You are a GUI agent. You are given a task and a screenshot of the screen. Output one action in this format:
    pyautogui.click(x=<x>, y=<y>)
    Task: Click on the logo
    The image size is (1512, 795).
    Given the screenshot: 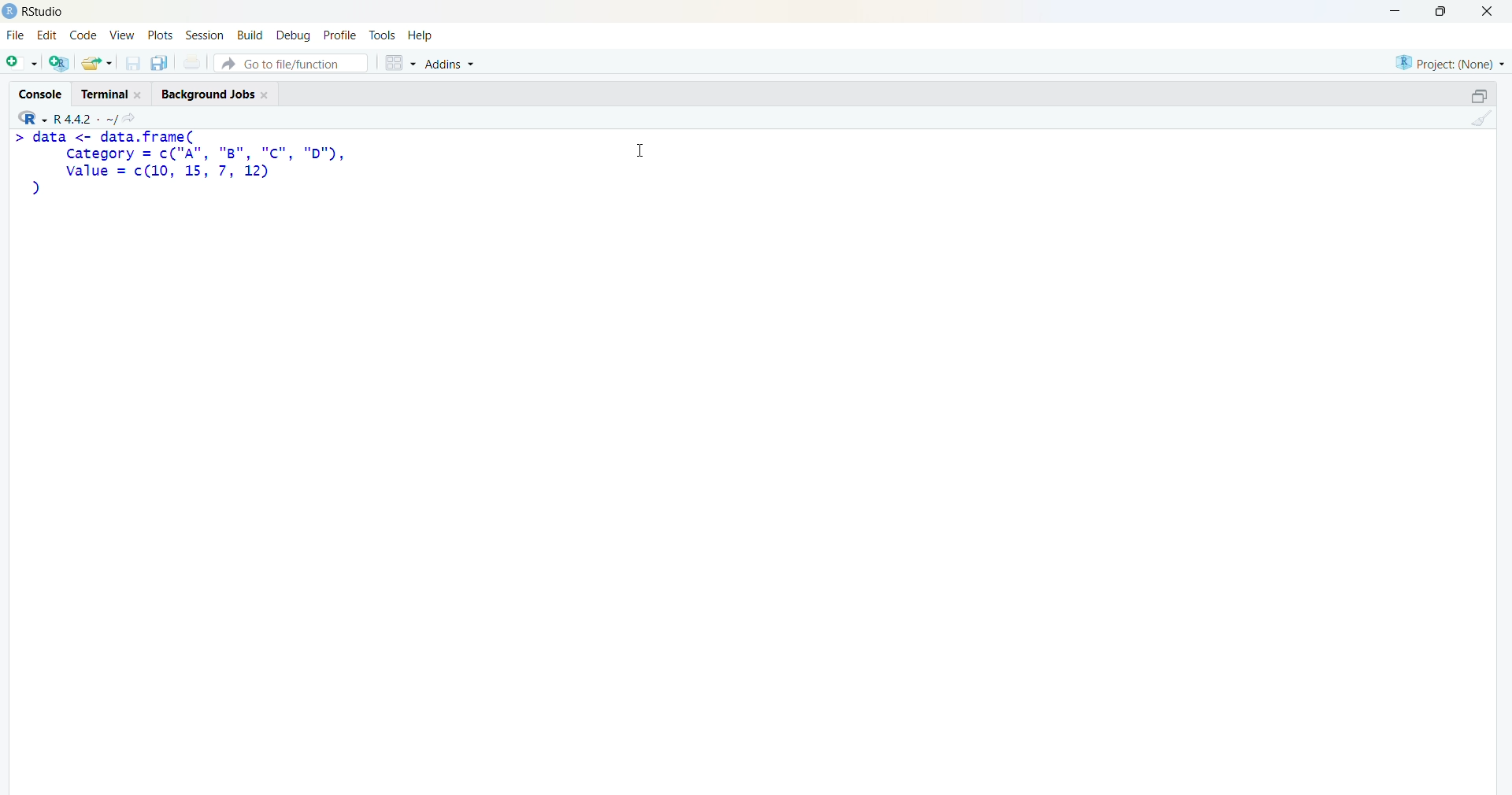 What is the action you would take?
    pyautogui.click(x=10, y=11)
    